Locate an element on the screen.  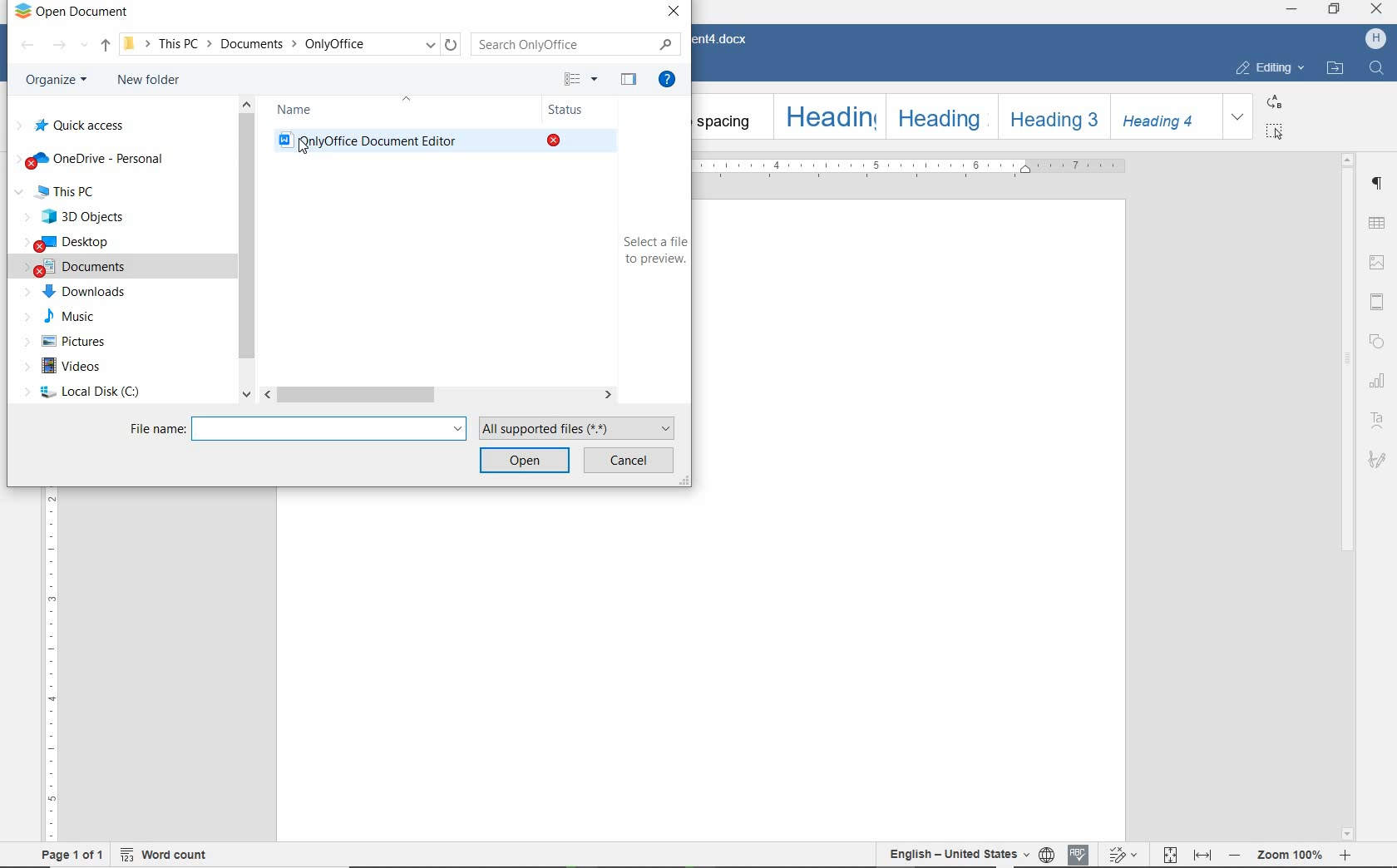
quick access is located at coordinates (91, 128).